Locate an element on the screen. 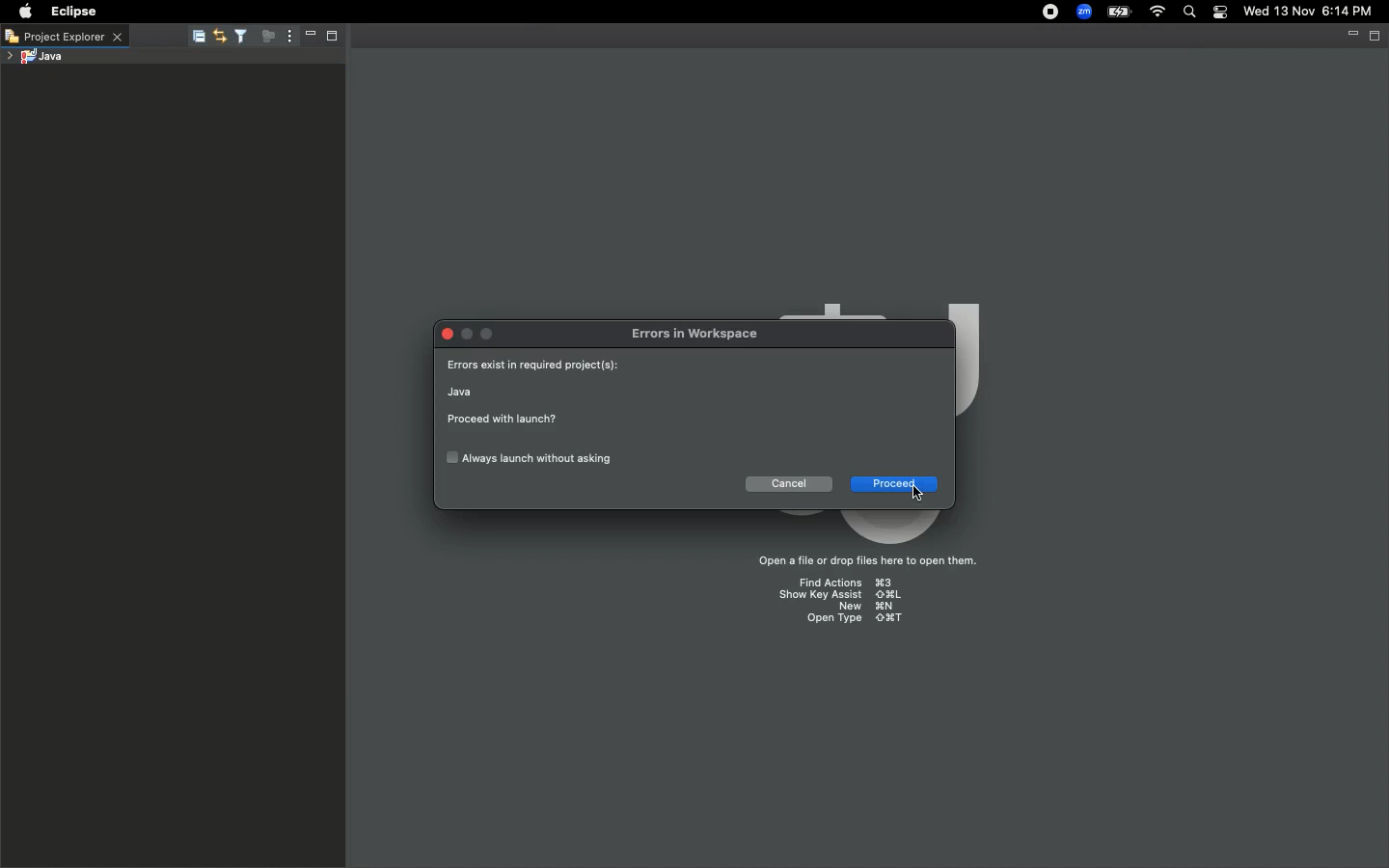  Errors in workspace is located at coordinates (694, 336).